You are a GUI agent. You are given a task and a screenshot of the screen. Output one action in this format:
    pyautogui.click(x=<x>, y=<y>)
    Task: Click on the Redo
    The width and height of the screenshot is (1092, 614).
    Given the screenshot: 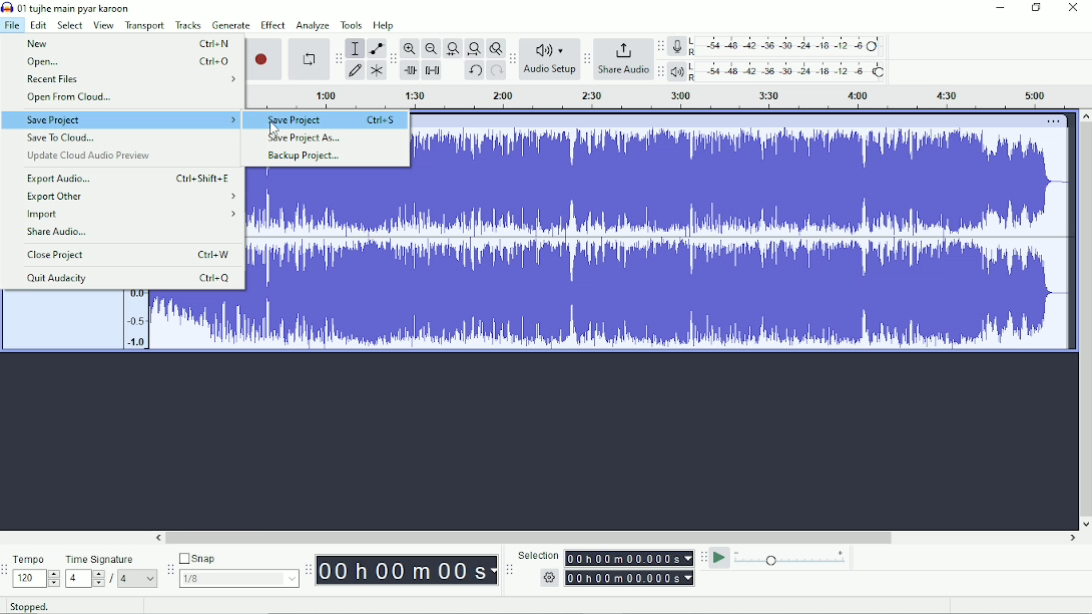 What is the action you would take?
    pyautogui.click(x=496, y=70)
    